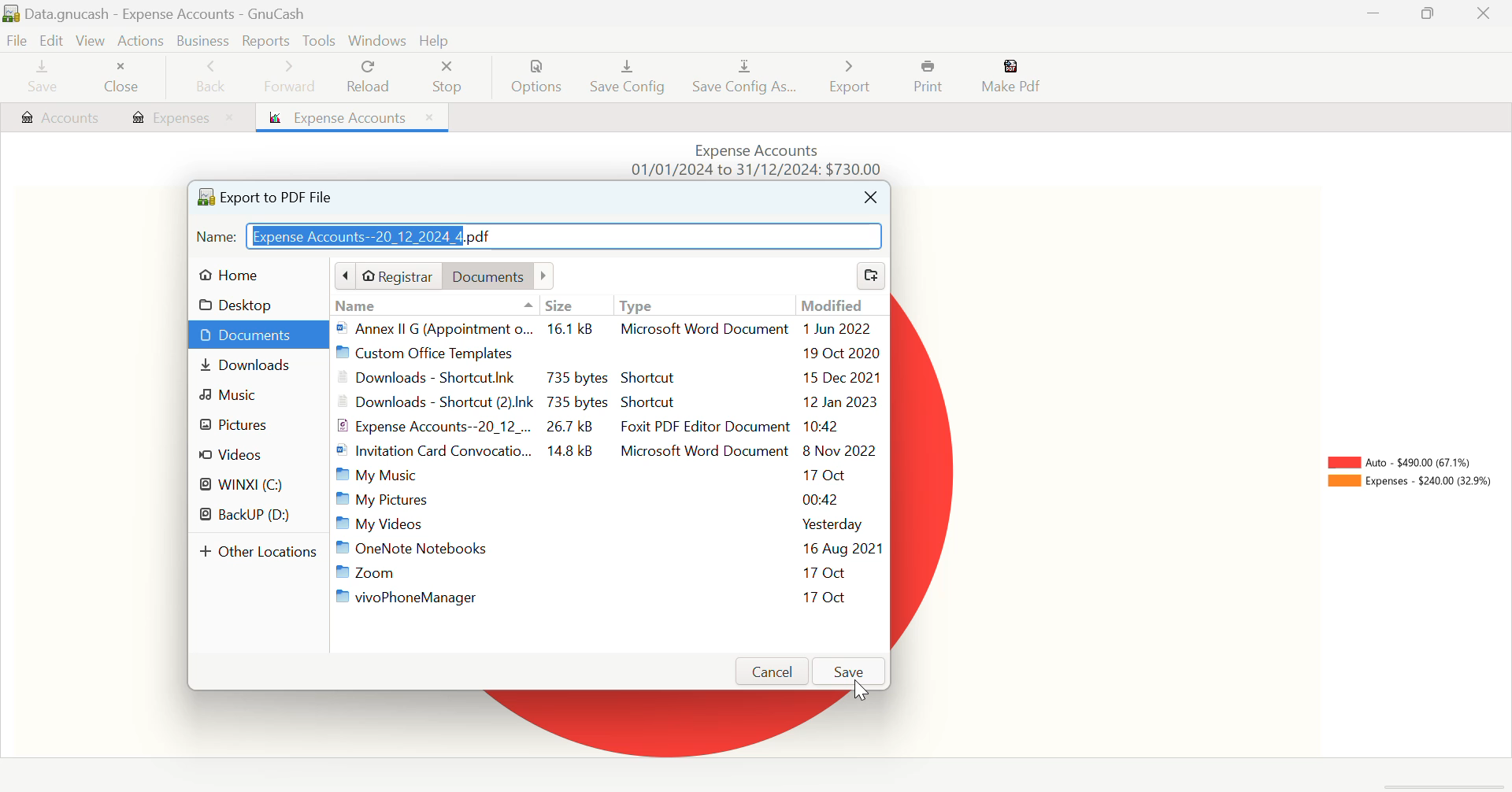 The height and width of the screenshot is (792, 1512). Describe the element at coordinates (610, 524) in the screenshot. I see `My Videos` at that location.